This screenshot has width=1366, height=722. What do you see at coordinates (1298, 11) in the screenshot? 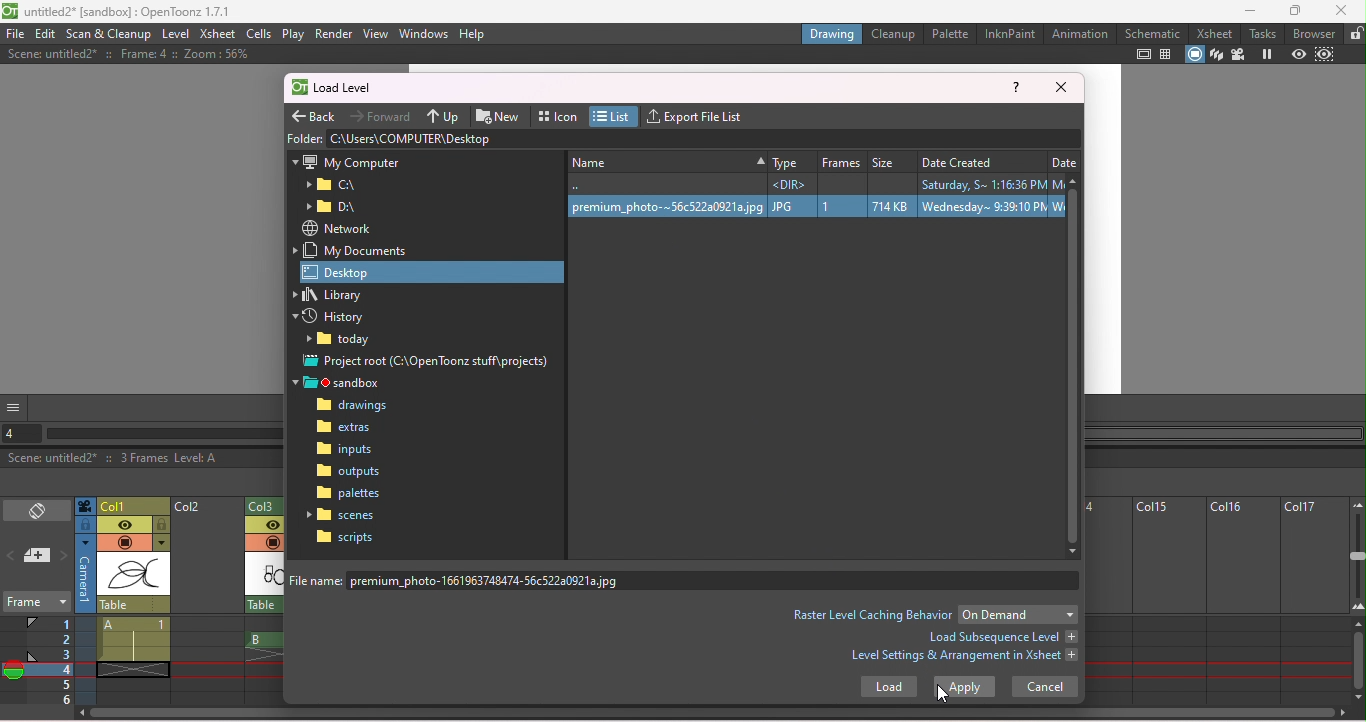
I see `Maximize` at bounding box center [1298, 11].